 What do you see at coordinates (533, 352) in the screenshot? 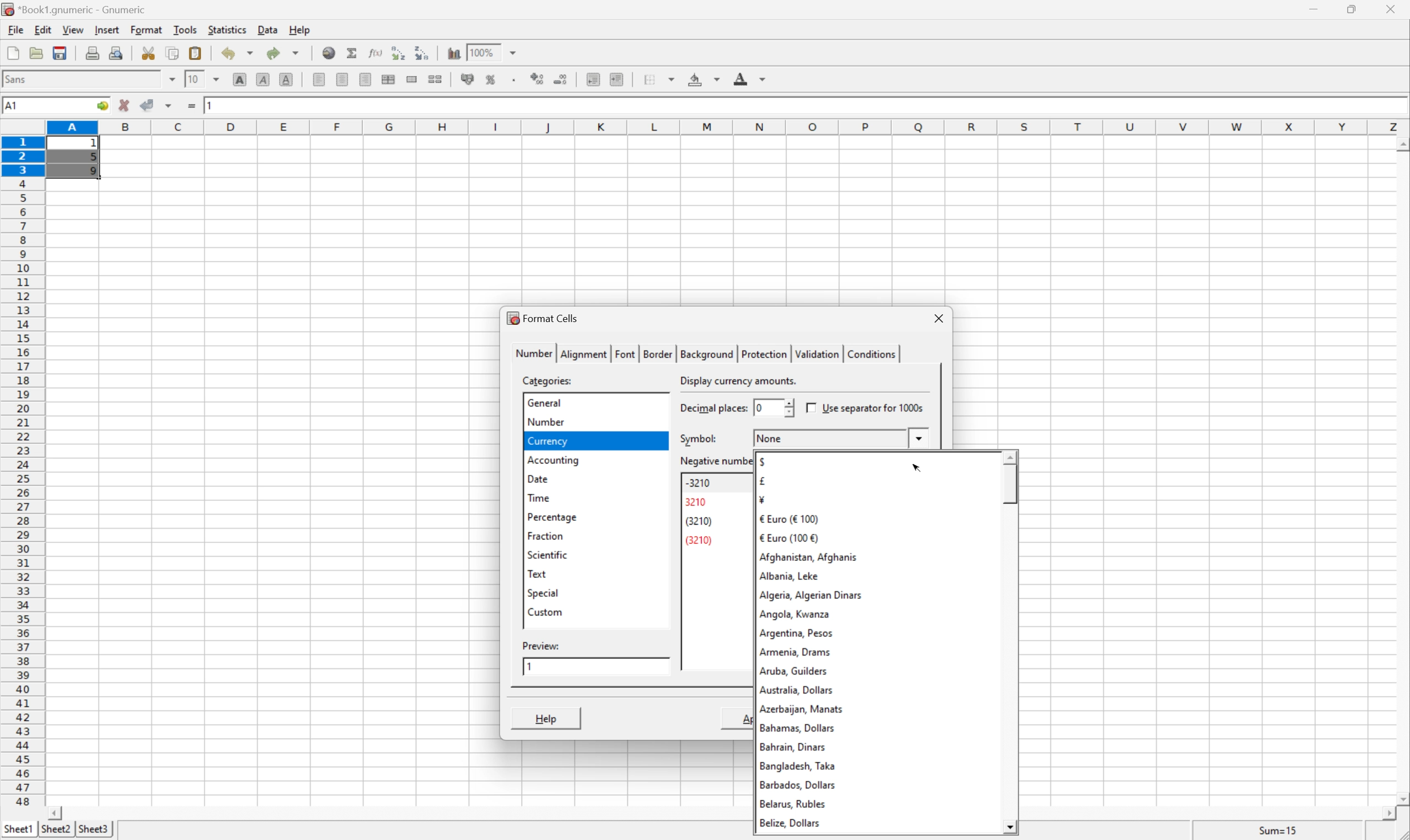
I see `number` at bounding box center [533, 352].